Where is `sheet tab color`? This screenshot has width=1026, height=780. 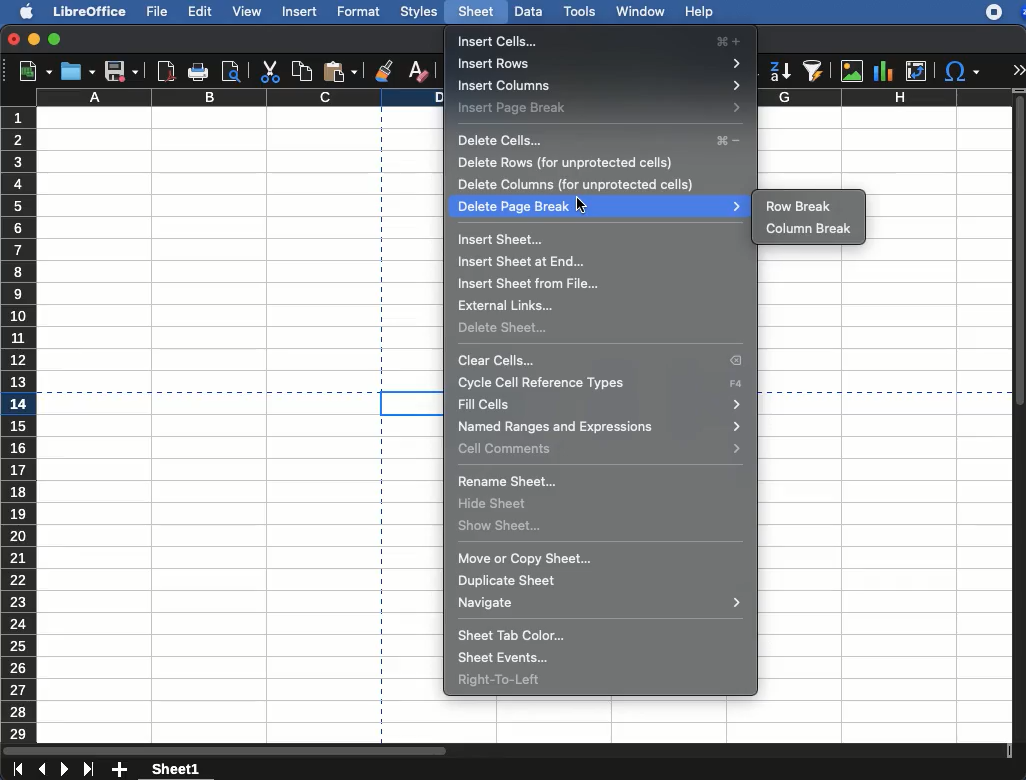
sheet tab color is located at coordinates (512, 636).